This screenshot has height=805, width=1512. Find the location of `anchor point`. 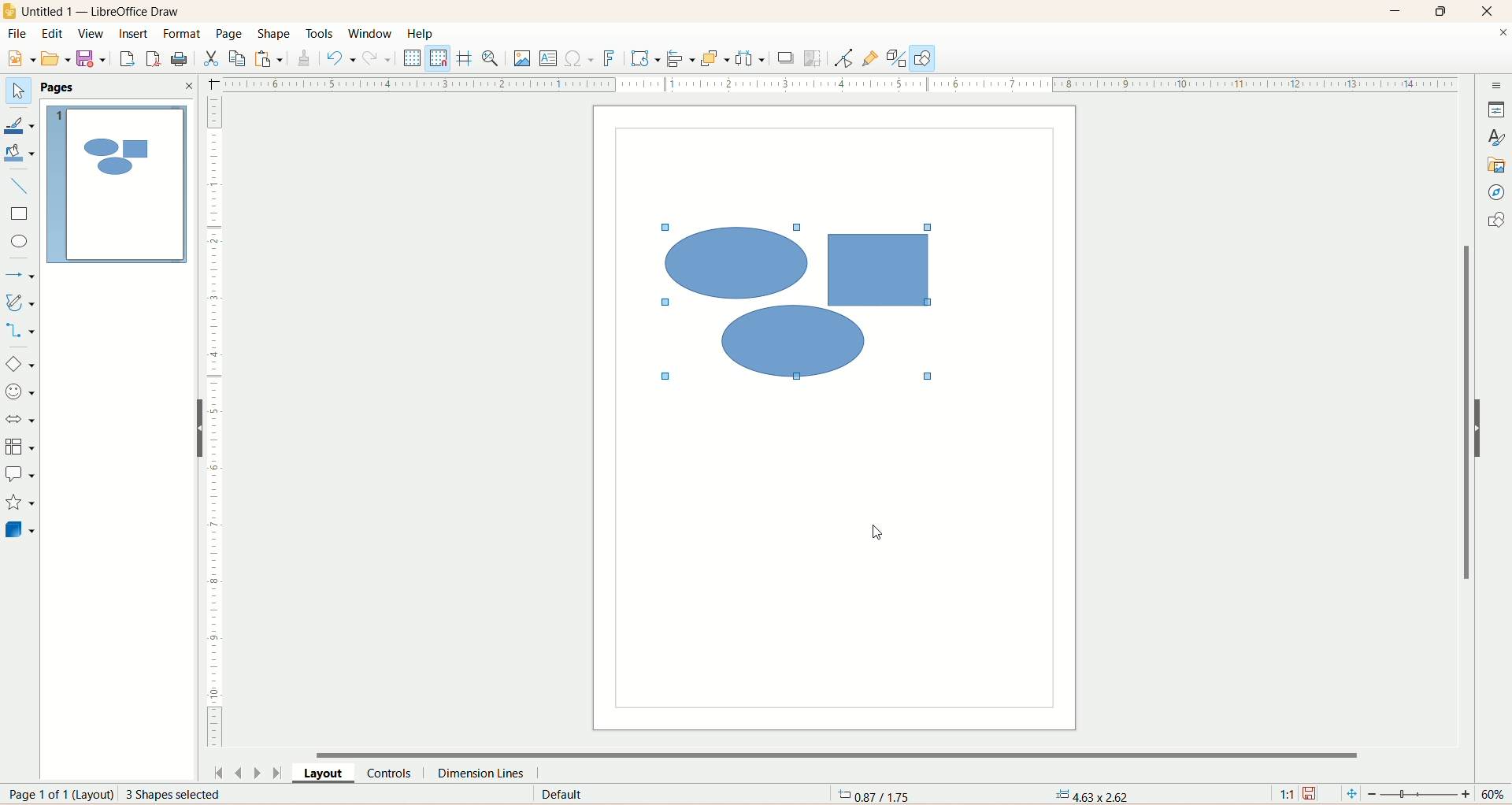

anchor point is located at coordinates (1088, 795).